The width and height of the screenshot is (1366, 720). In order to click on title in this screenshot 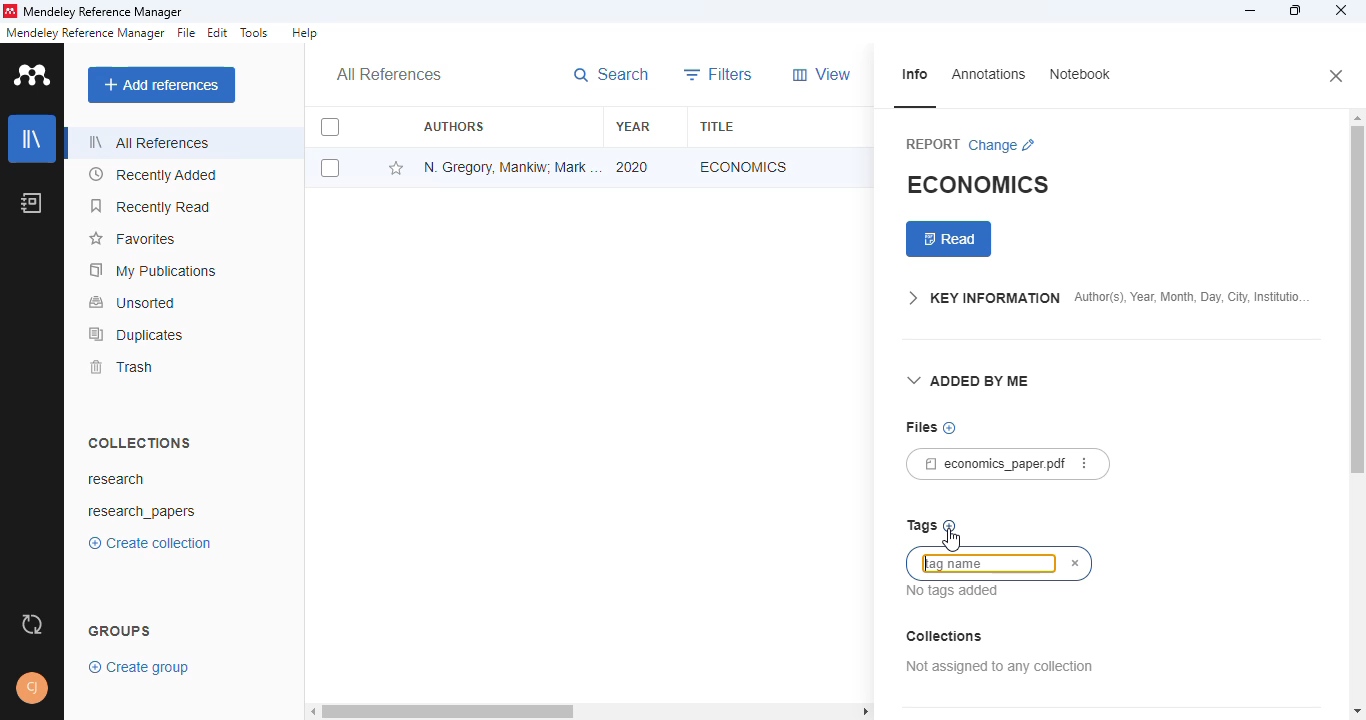, I will do `click(716, 127)`.